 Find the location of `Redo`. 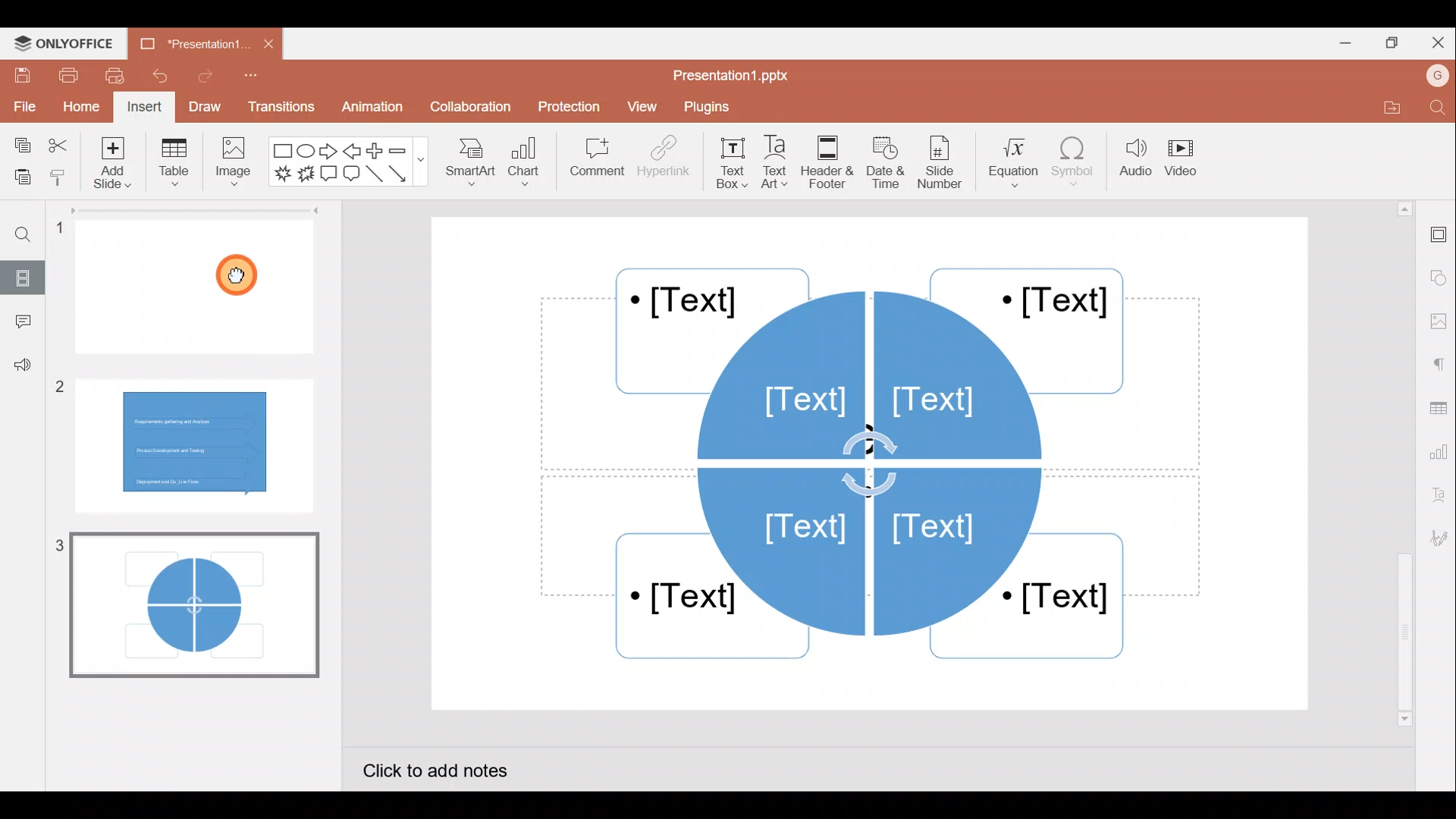

Redo is located at coordinates (201, 80).